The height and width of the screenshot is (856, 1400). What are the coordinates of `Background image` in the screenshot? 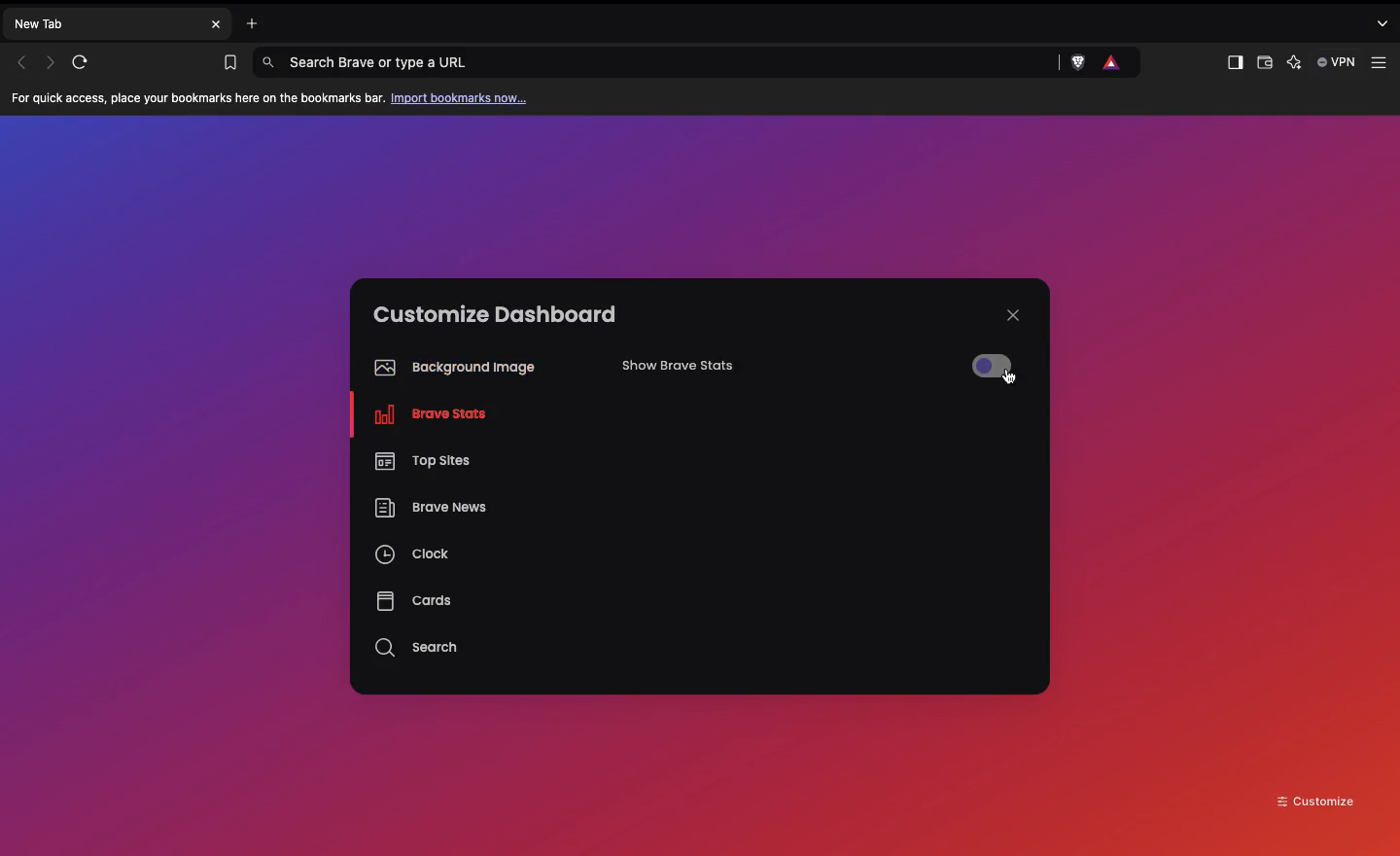 It's located at (450, 368).